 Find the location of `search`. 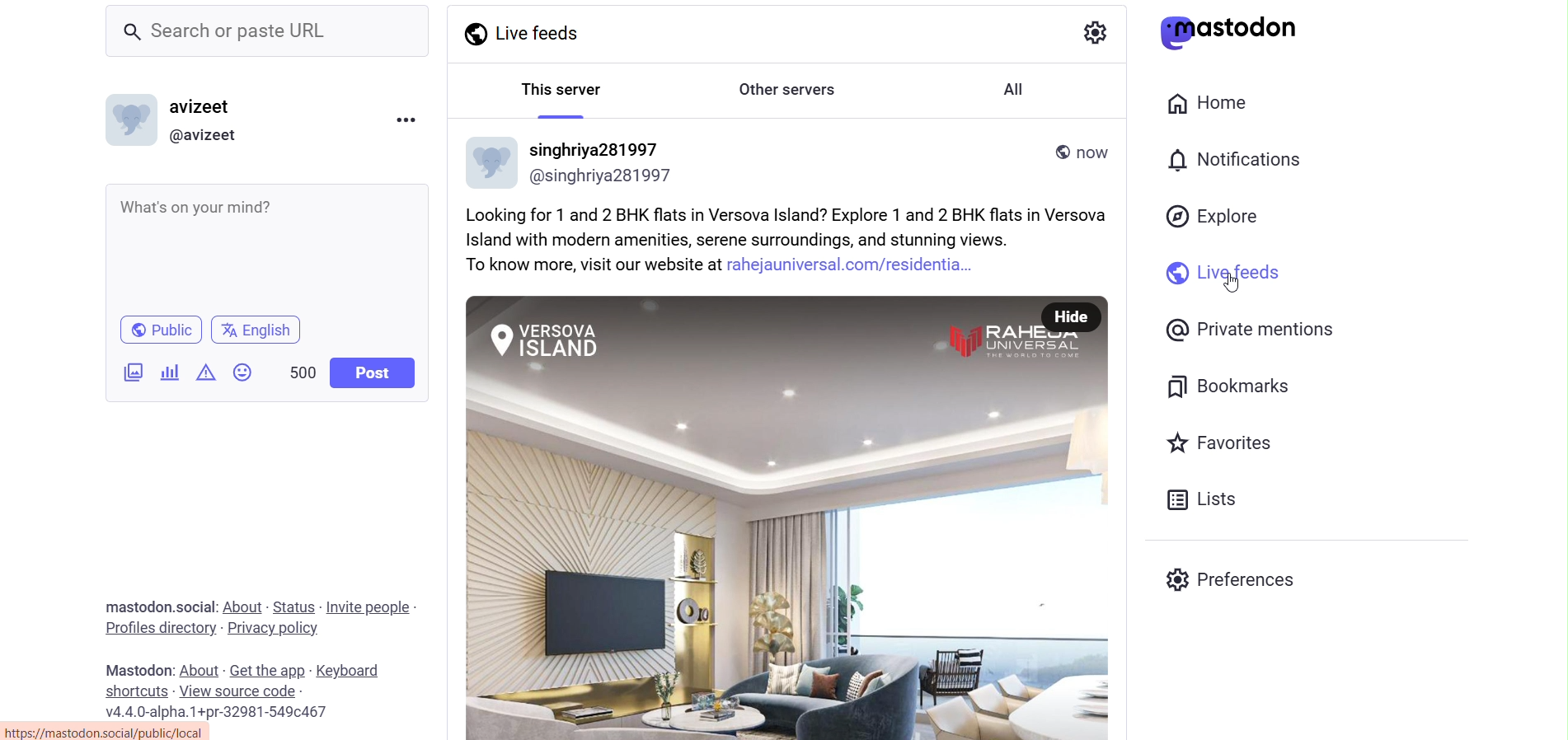

search is located at coordinates (267, 32).